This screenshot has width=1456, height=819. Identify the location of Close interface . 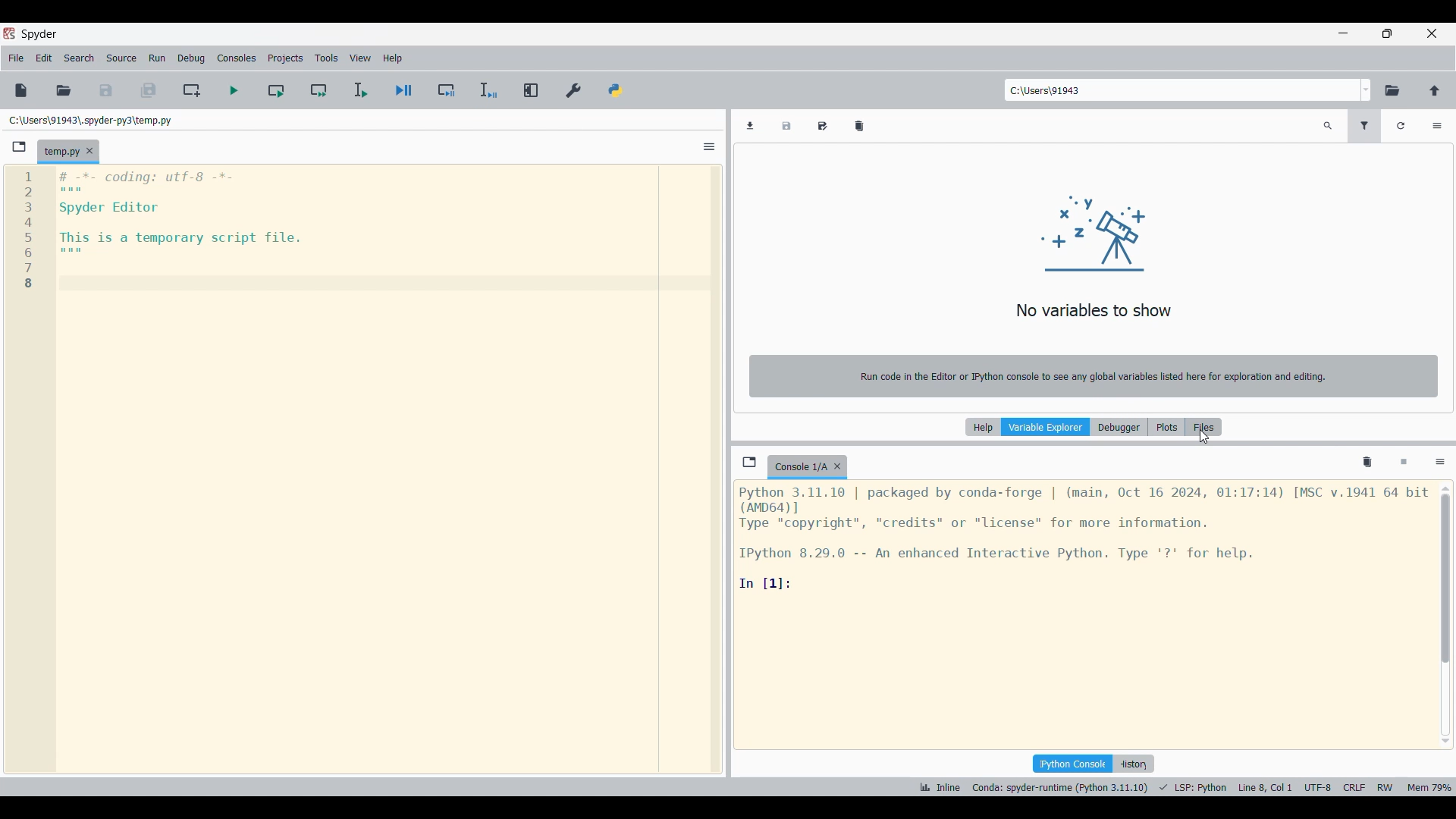
(1432, 33).